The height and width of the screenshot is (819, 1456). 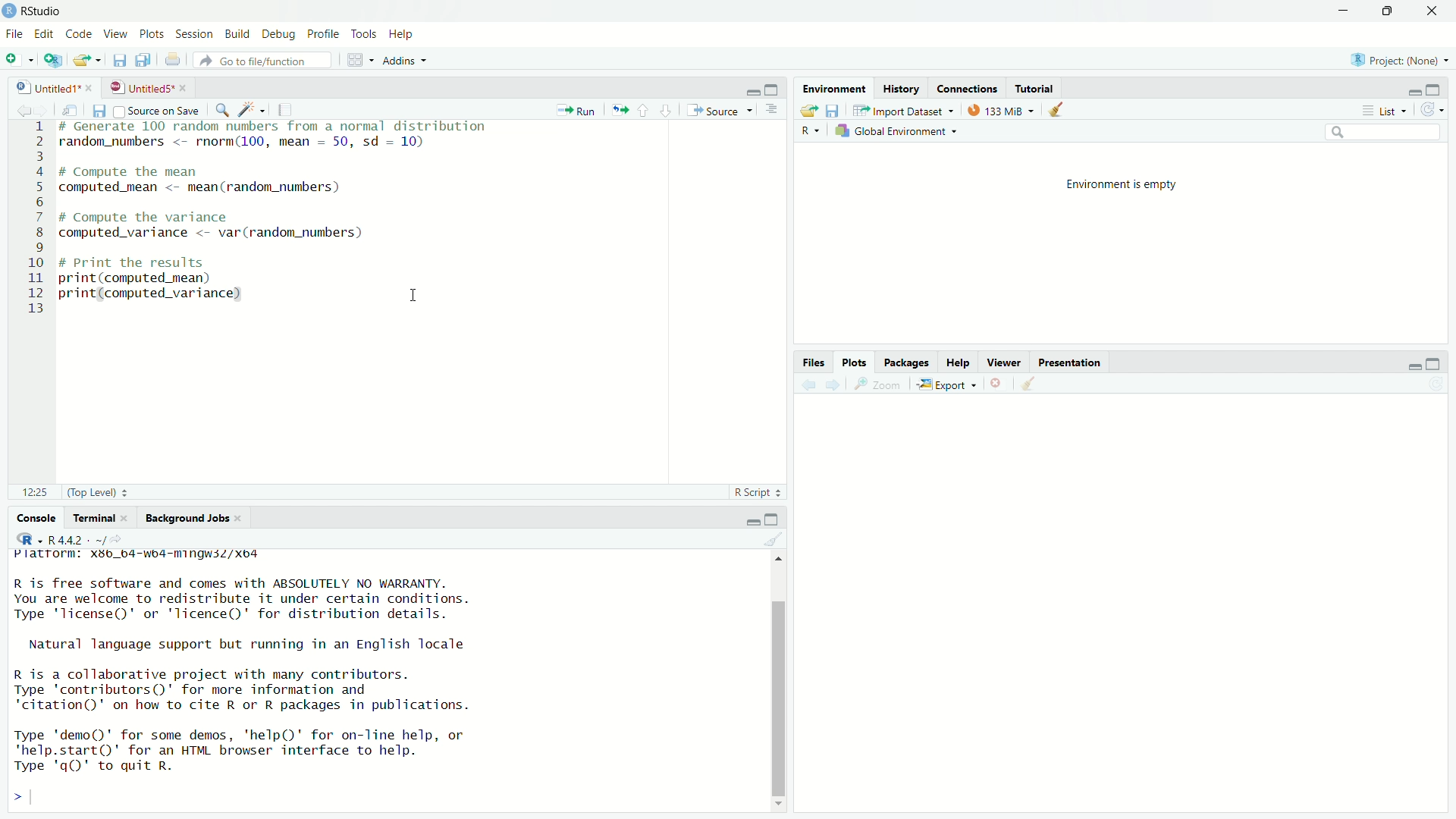 What do you see at coordinates (125, 539) in the screenshot?
I see `view the current working directory` at bounding box center [125, 539].